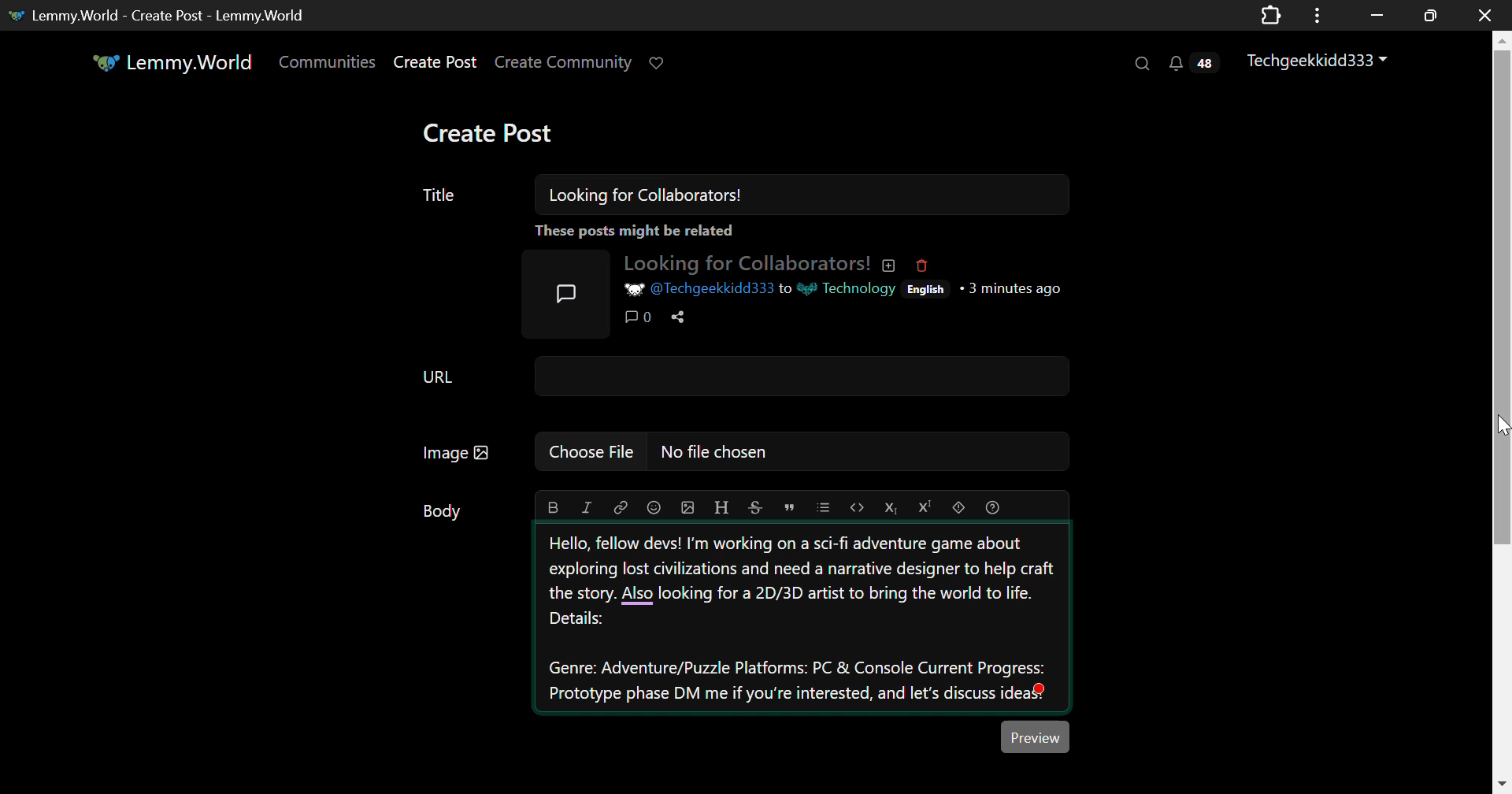  What do you see at coordinates (921, 265) in the screenshot?
I see `Deleted` at bounding box center [921, 265].